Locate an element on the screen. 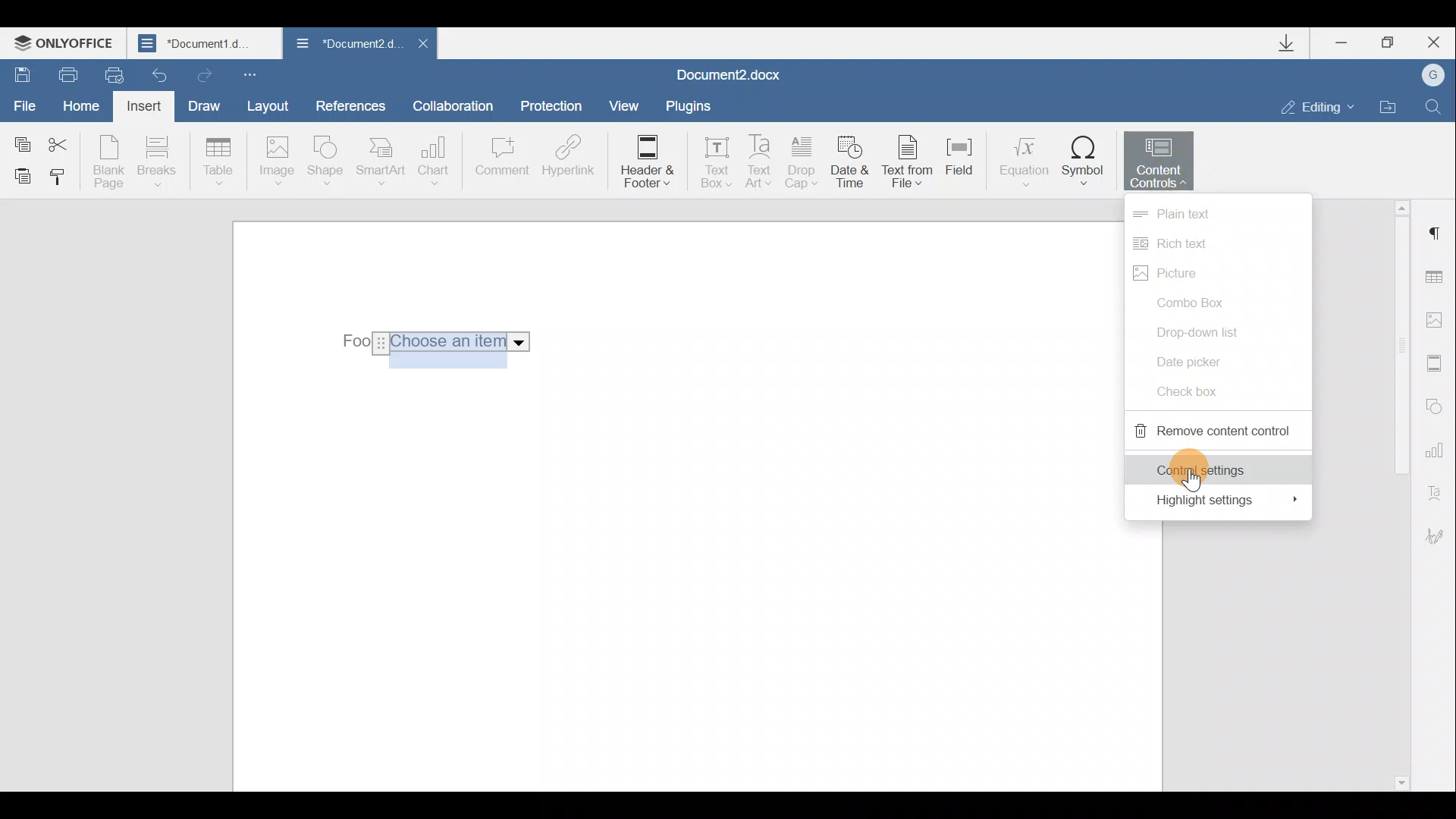  Equation is located at coordinates (1022, 158).